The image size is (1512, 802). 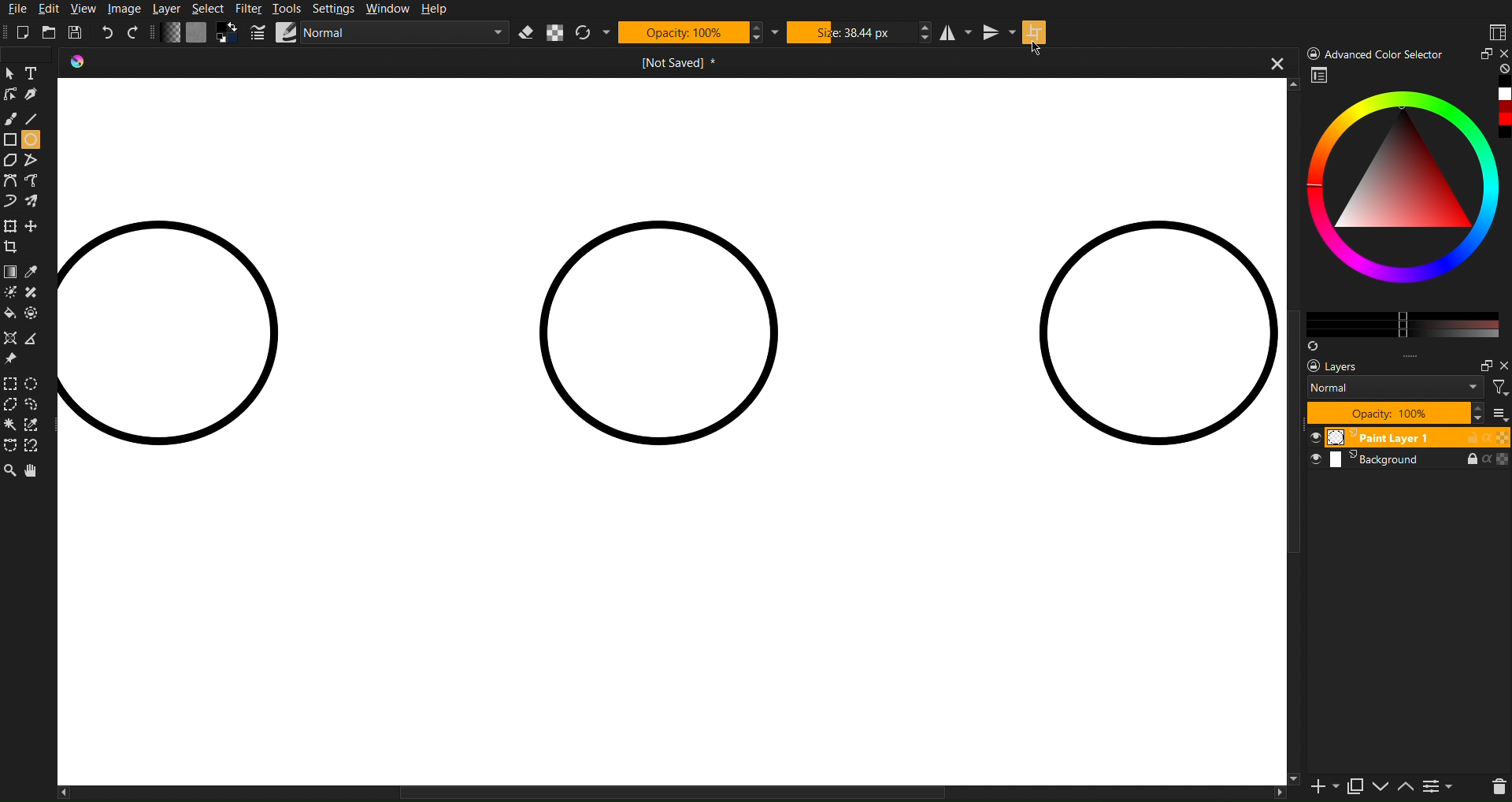 I want to click on Shape Tools, so click(x=9, y=142).